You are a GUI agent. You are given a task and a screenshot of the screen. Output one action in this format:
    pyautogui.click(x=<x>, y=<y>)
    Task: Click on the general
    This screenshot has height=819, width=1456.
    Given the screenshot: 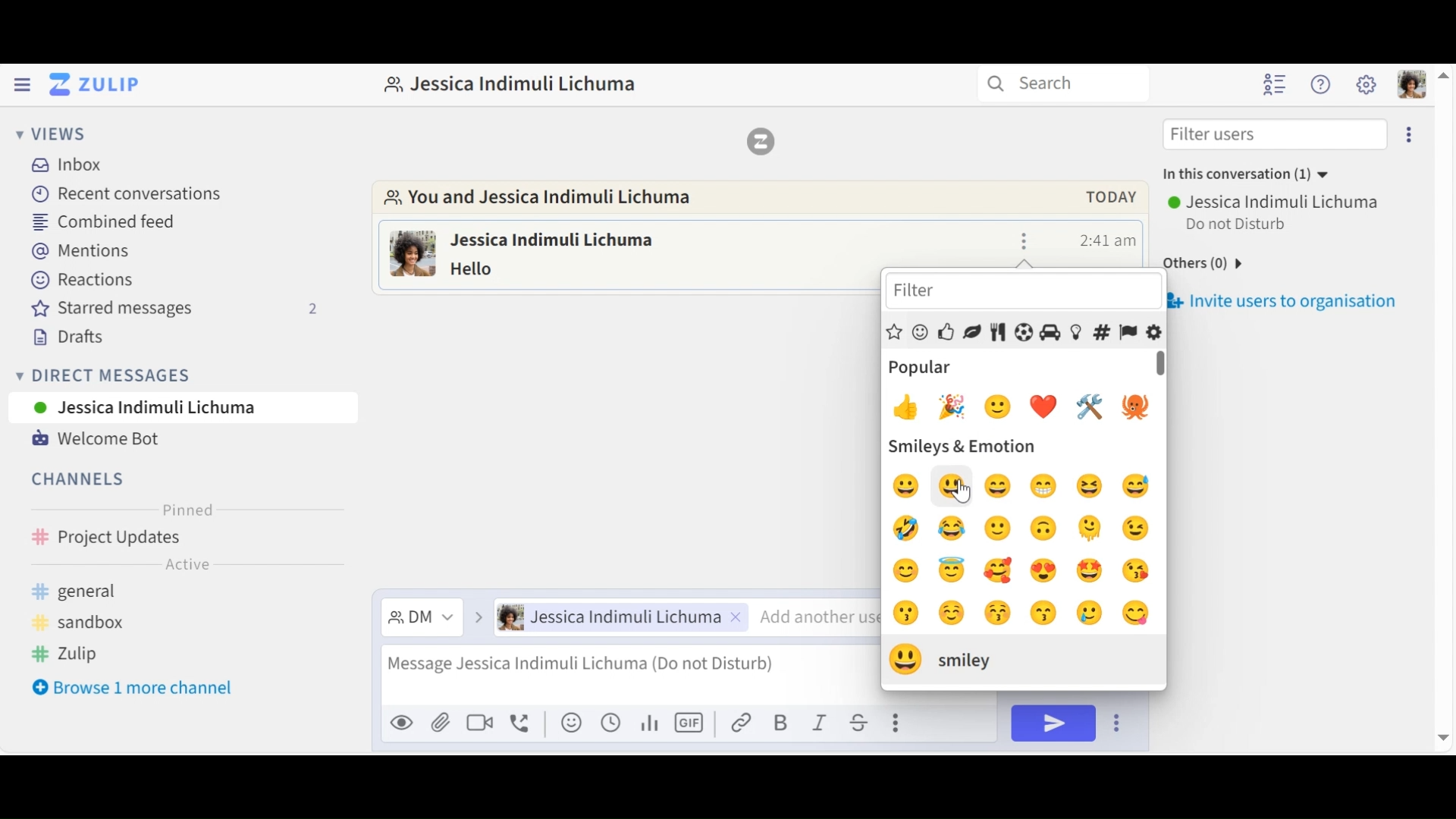 What is the action you would take?
    pyautogui.click(x=99, y=592)
    